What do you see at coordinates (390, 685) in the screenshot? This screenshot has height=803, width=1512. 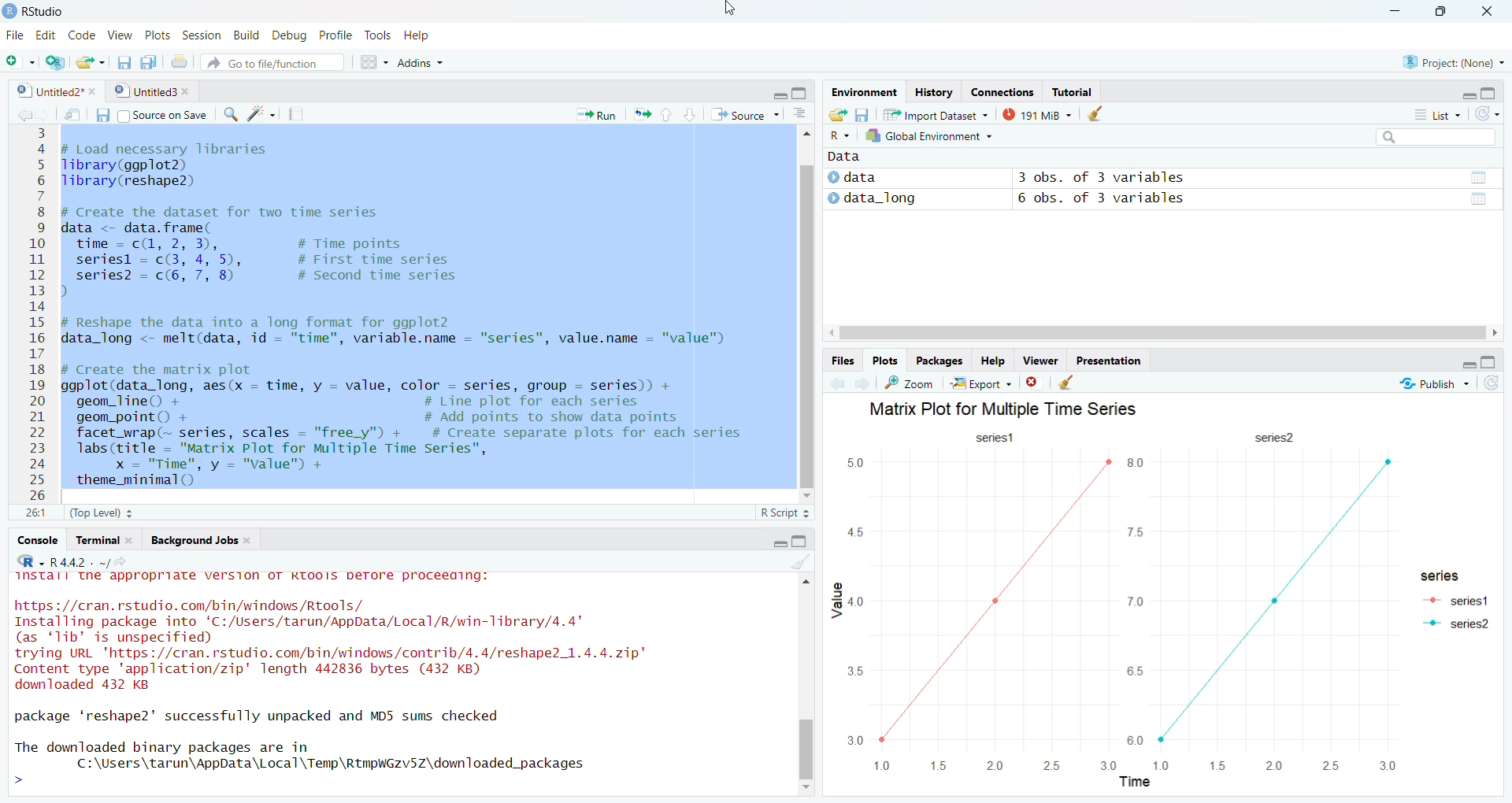 I see `>

> # Reshape the data into a long format for ggplot2

> data_long <- melt(data, id = "time", variable.name = "series", value.name = "value")
>

> # Create the matrix plot

> ggplot(data_long, aes(x = time, y = value, color = series, group = series)) +

+ geom_line(Q) + # Line plot for each series

+ geom_point() + # Add points to show data points

+ facet_wrap(~ series, scales = "free_y") +  # Create separate plots for each series
+ labs(title = "Matrix Plot for Multiple Time Series",

+ x = "Time", y = "value" +

+  theme_minimal()

>|` at bounding box center [390, 685].